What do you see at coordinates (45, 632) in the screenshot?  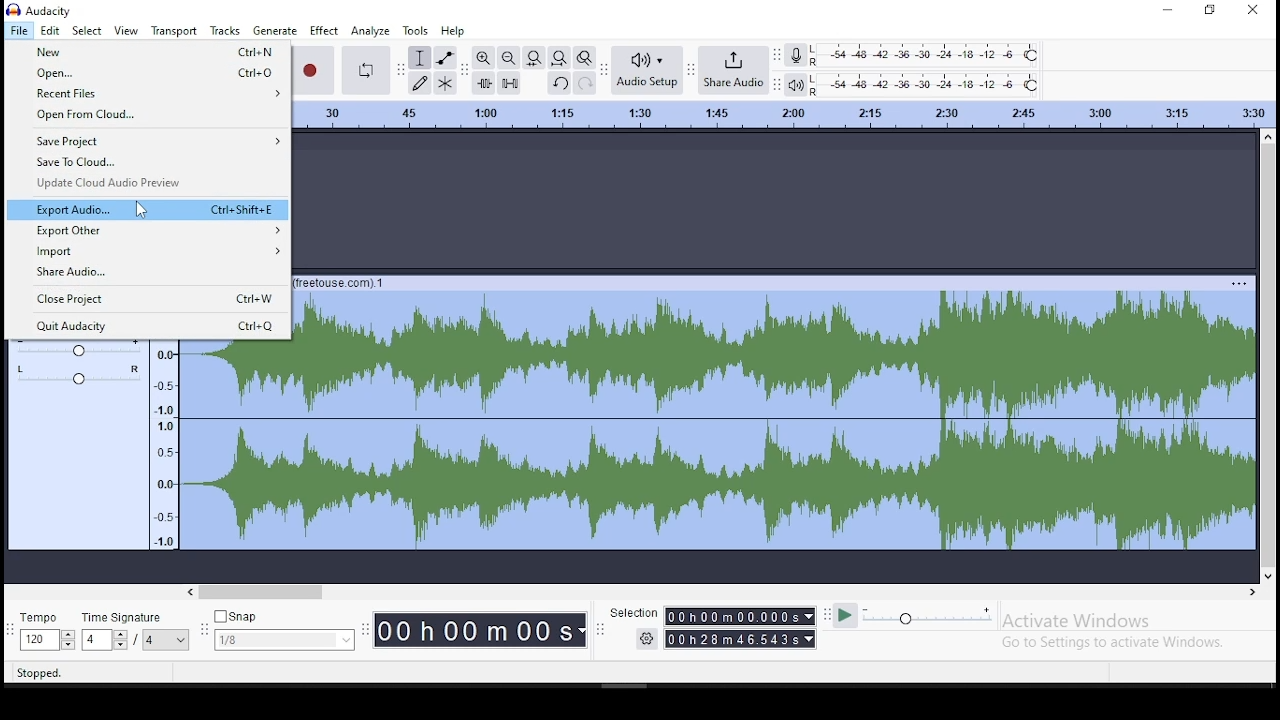 I see `tempo` at bounding box center [45, 632].